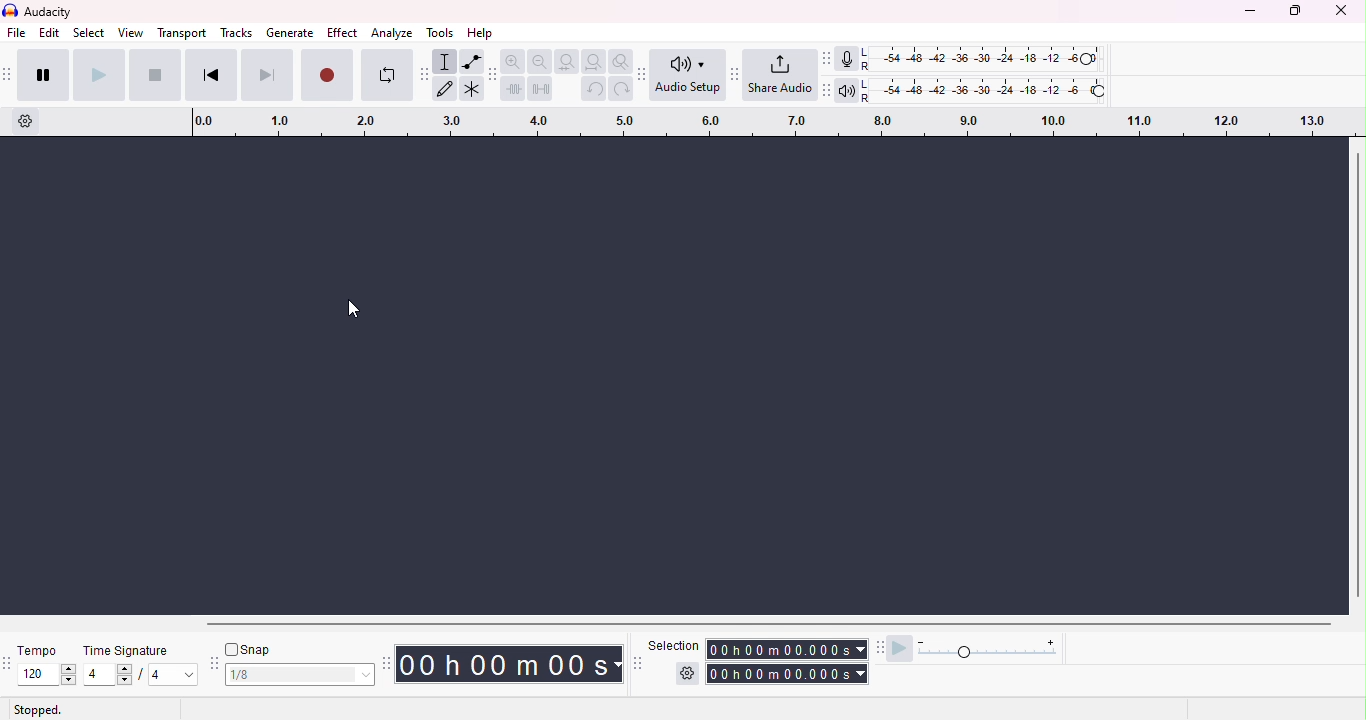 The height and width of the screenshot is (720, 1366). I want to click on envelop, so click(471, 62).